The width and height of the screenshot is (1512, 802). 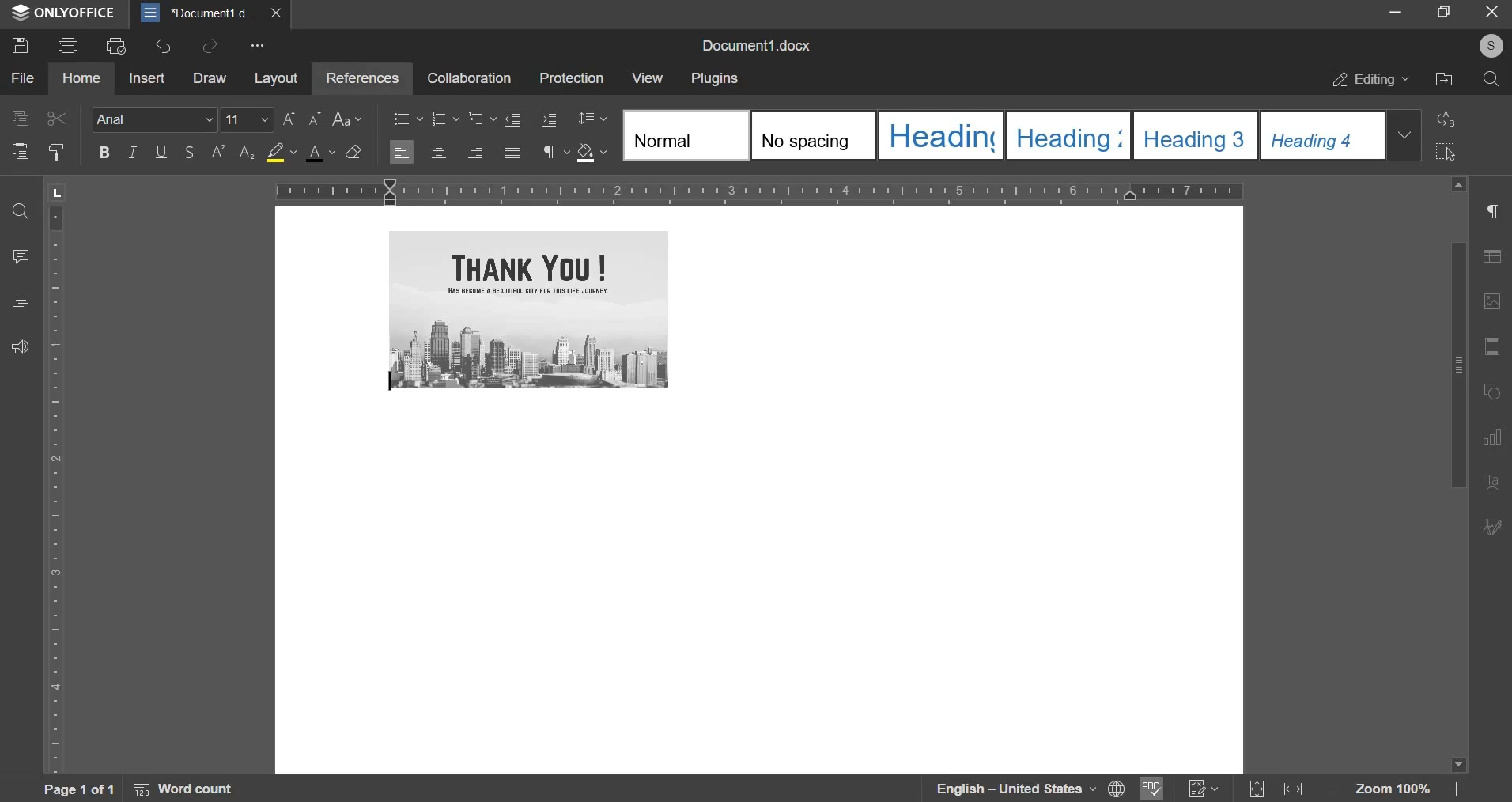 What do you see at coordinates (1445, 152) in the screenshot?
I see `select` at bounding box center [1445, 152].